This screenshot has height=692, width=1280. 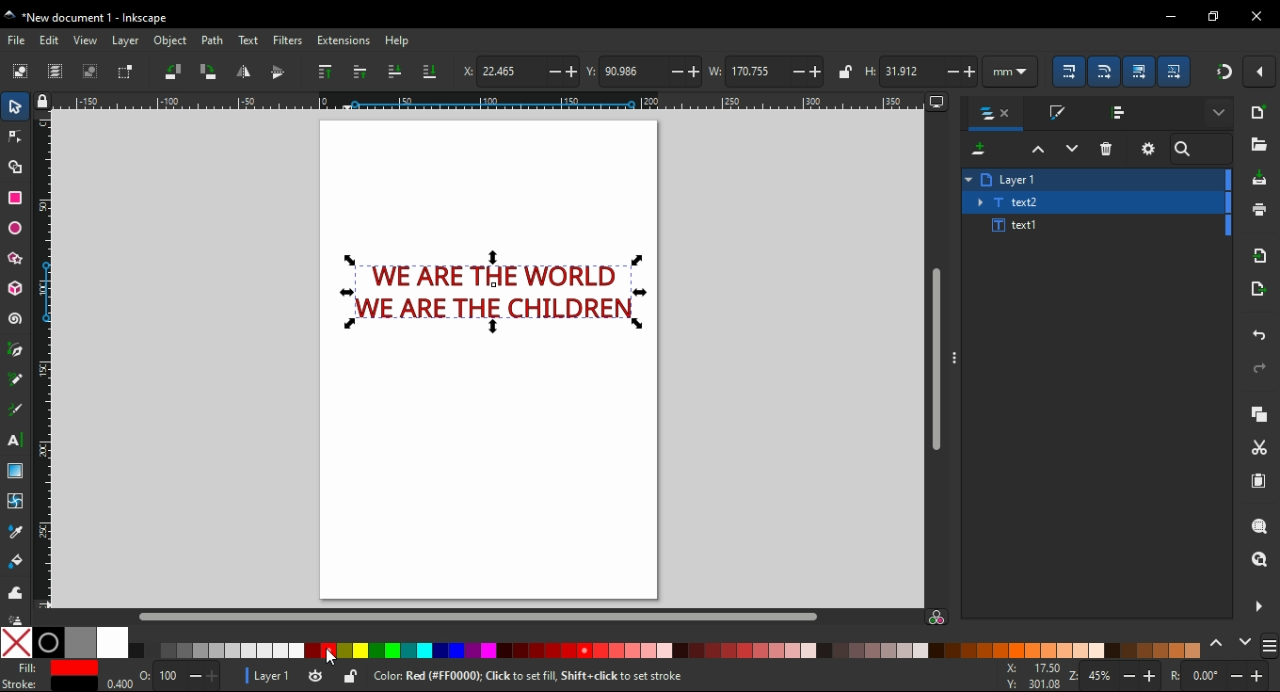 What do you see at coordinates (843, 72) in the screenshot?
I see `lock` at bounding box center [843, 72].